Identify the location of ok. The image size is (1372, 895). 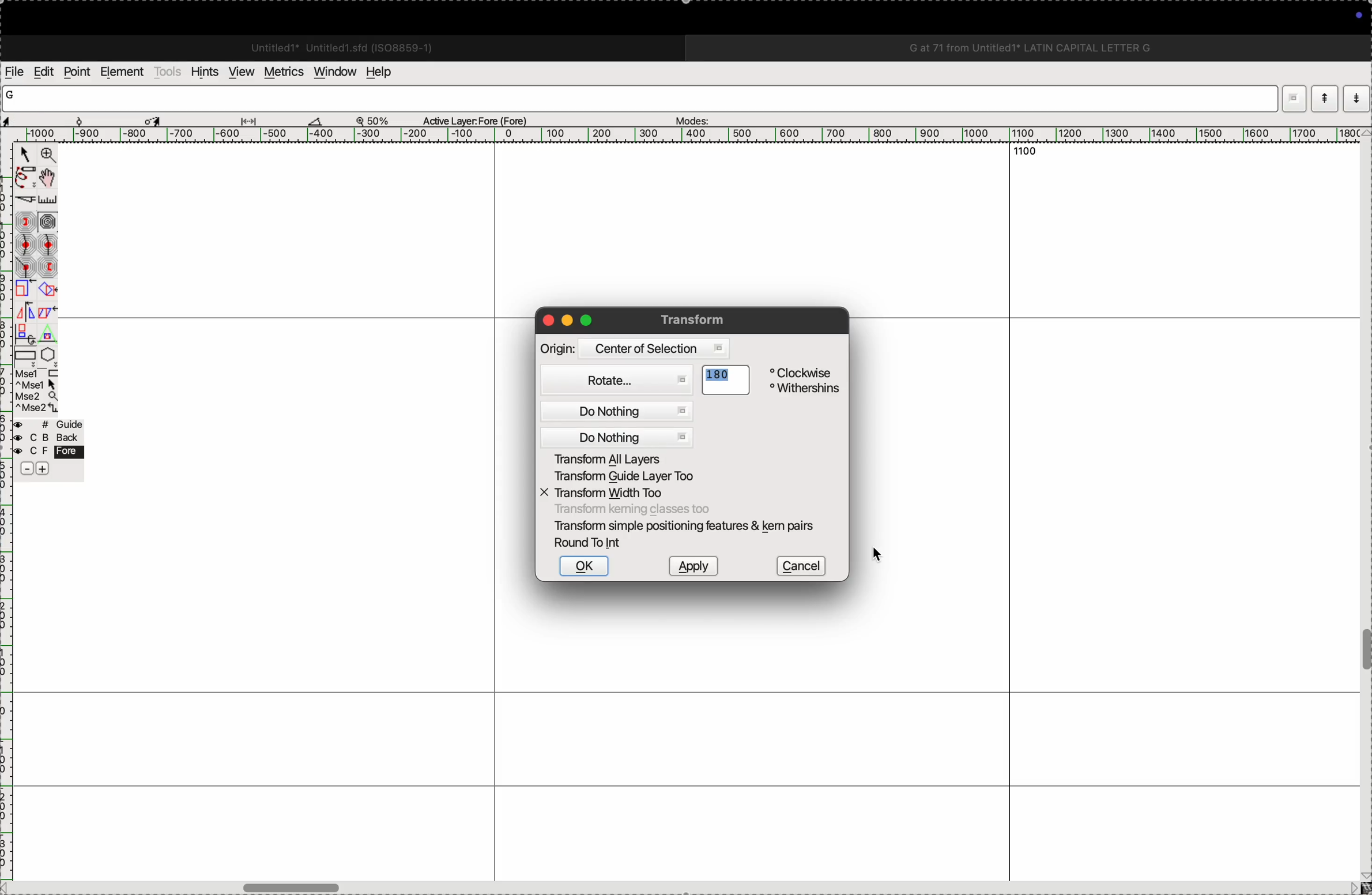
(587, 567).